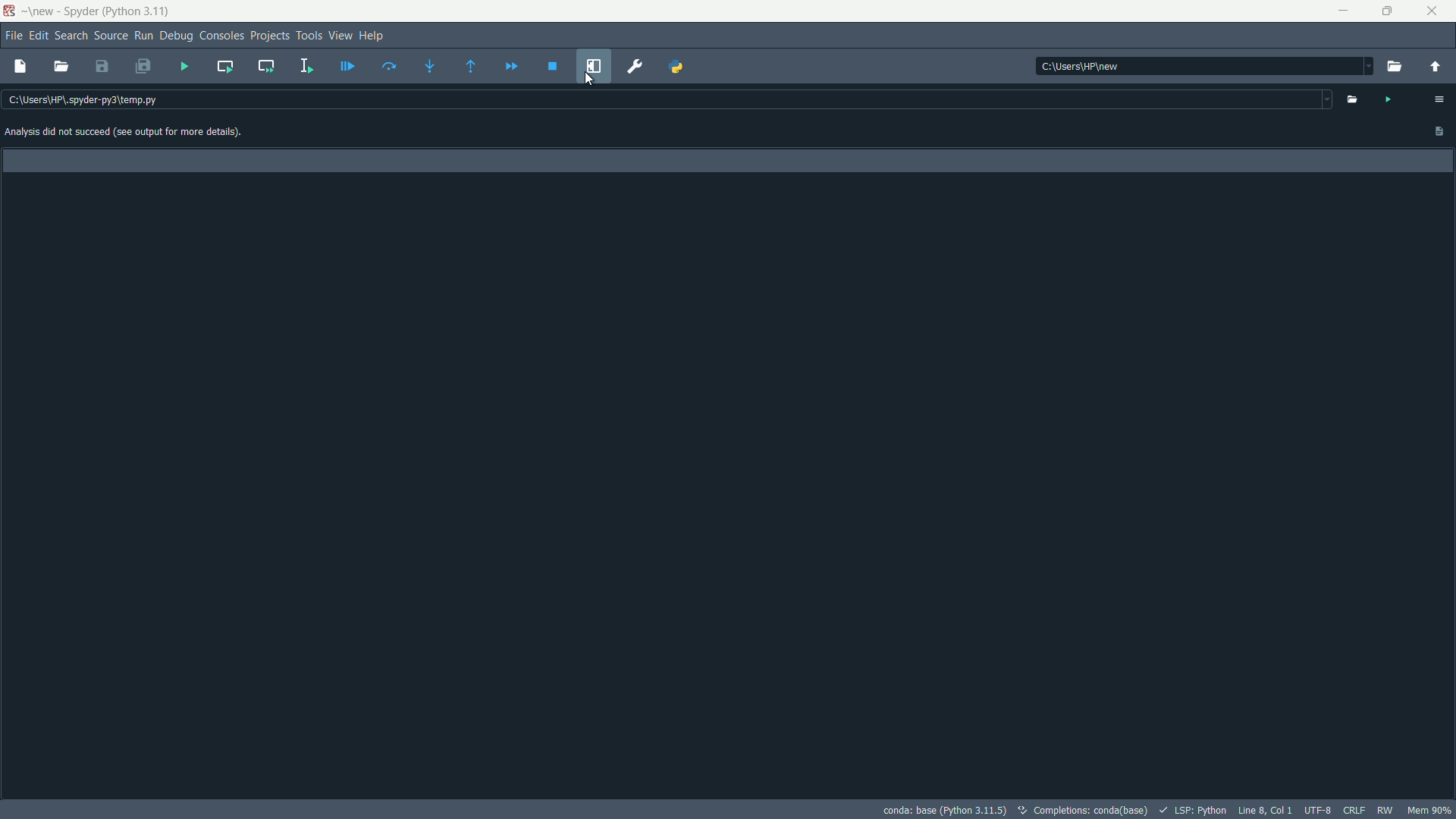 Image resolution: width=1456 pixels, height=819 pixels. What do you see at coordinates (80, 13) in the screenshot?
I see `app icon` at bounding box center [80, 13].